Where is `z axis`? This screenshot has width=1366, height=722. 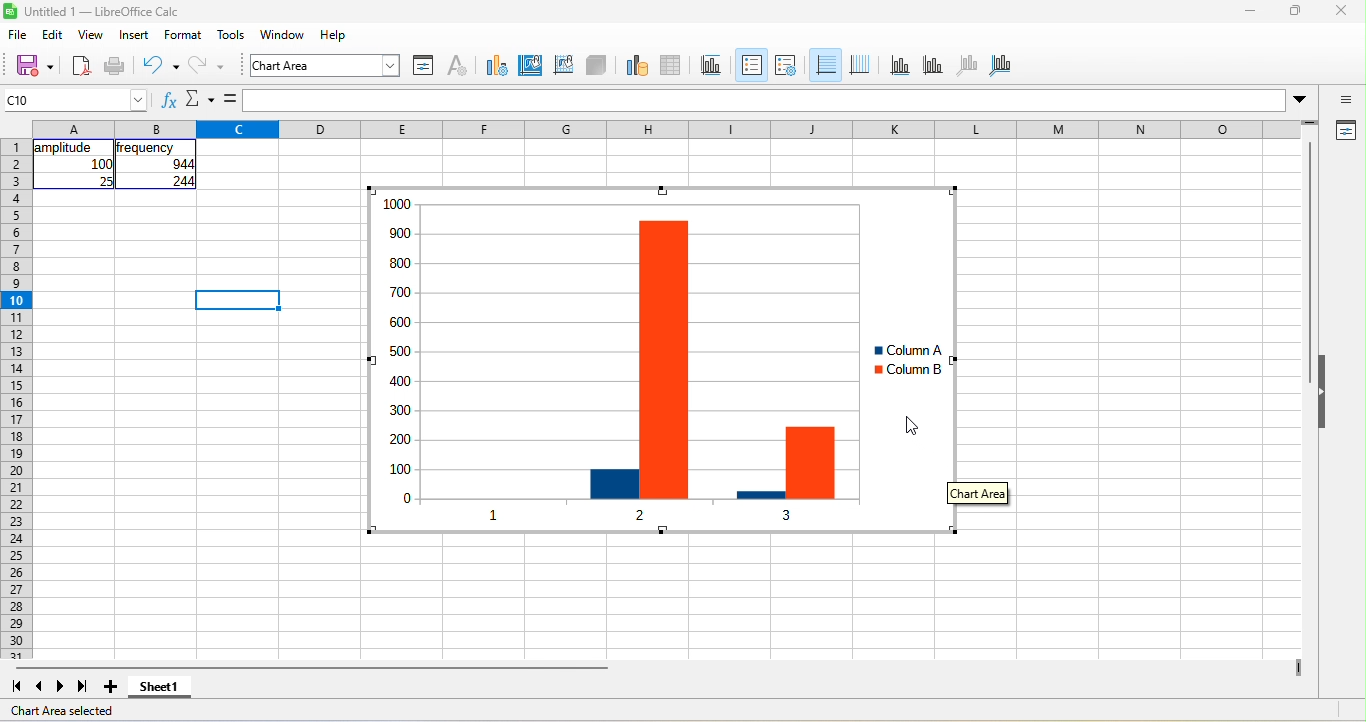 z axis is located at coordinates (968, 66).